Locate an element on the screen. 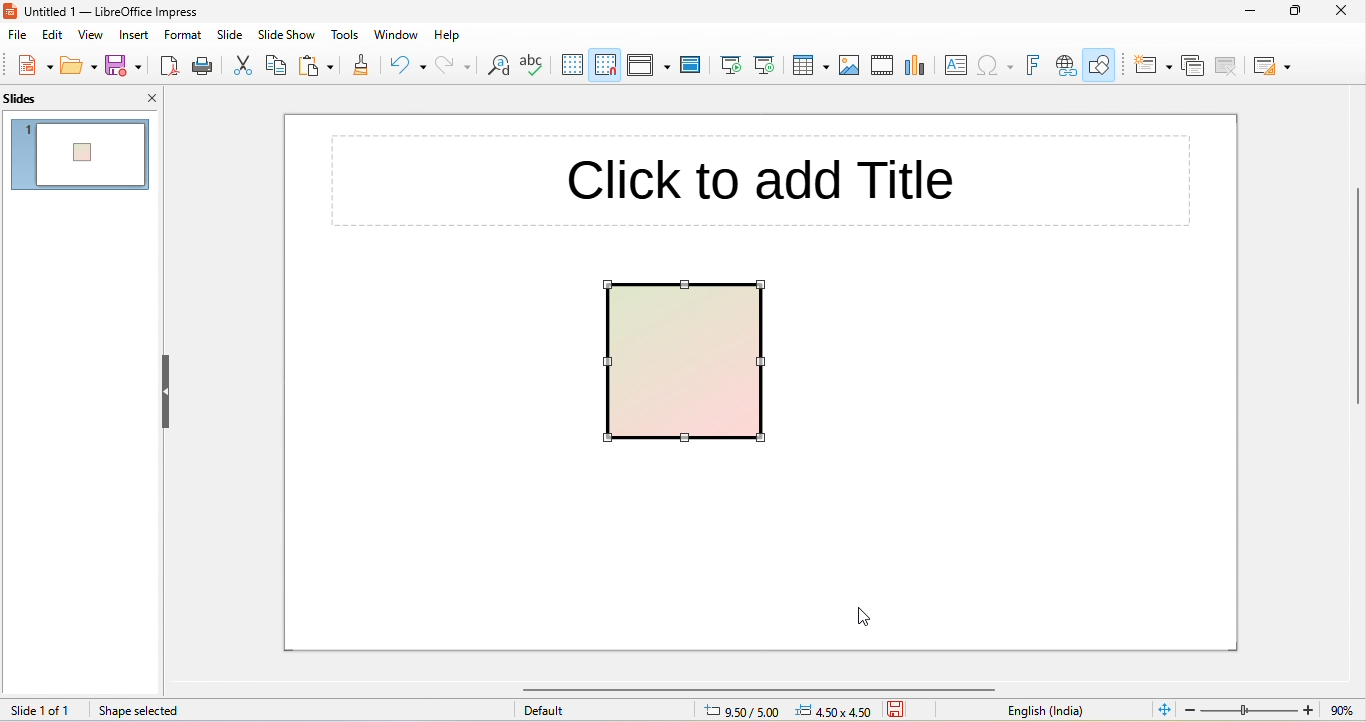 The height and width of the screenshot is (722, 1366). layout is located at coordinates (1273, 67).